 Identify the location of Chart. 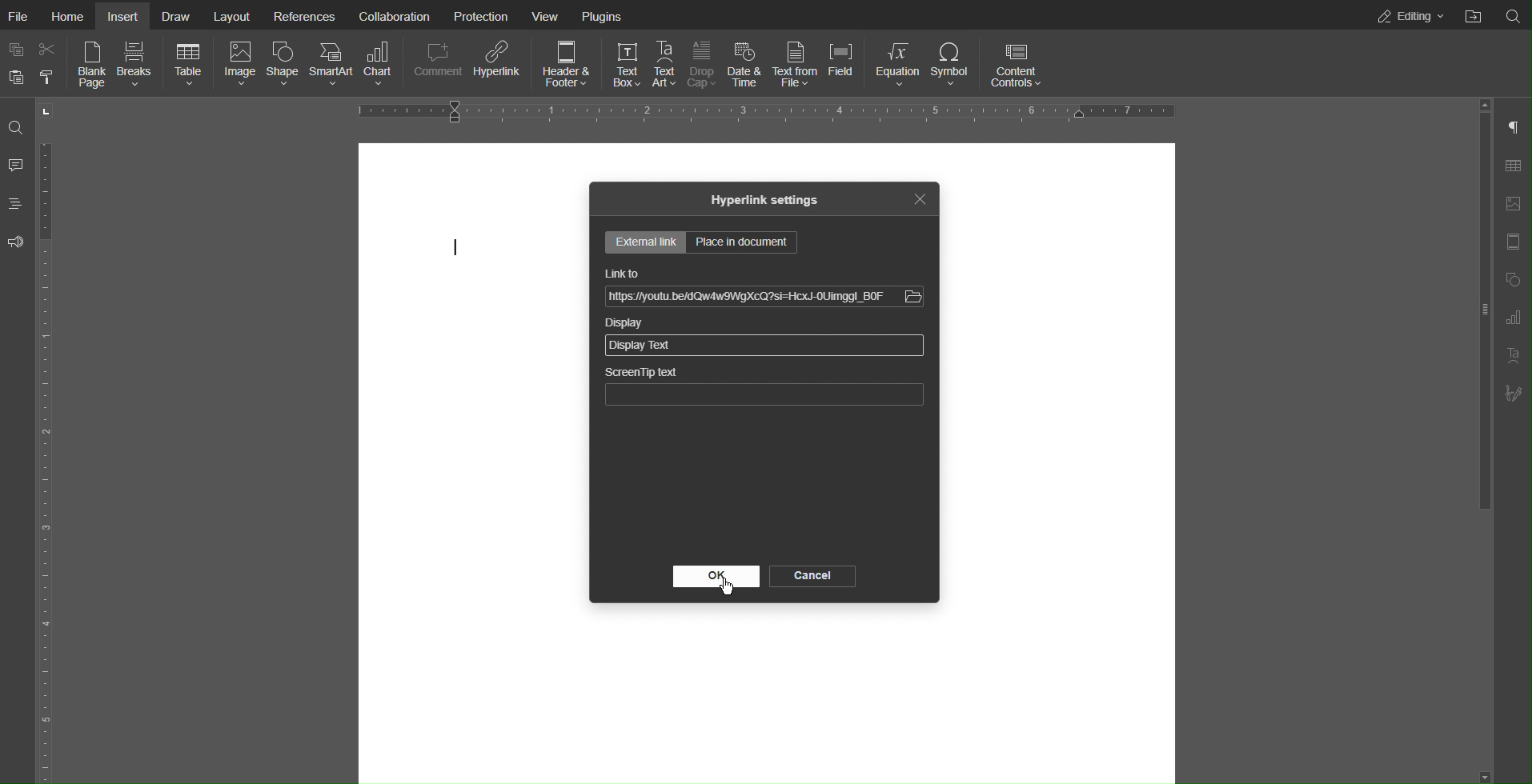
(379, 65).